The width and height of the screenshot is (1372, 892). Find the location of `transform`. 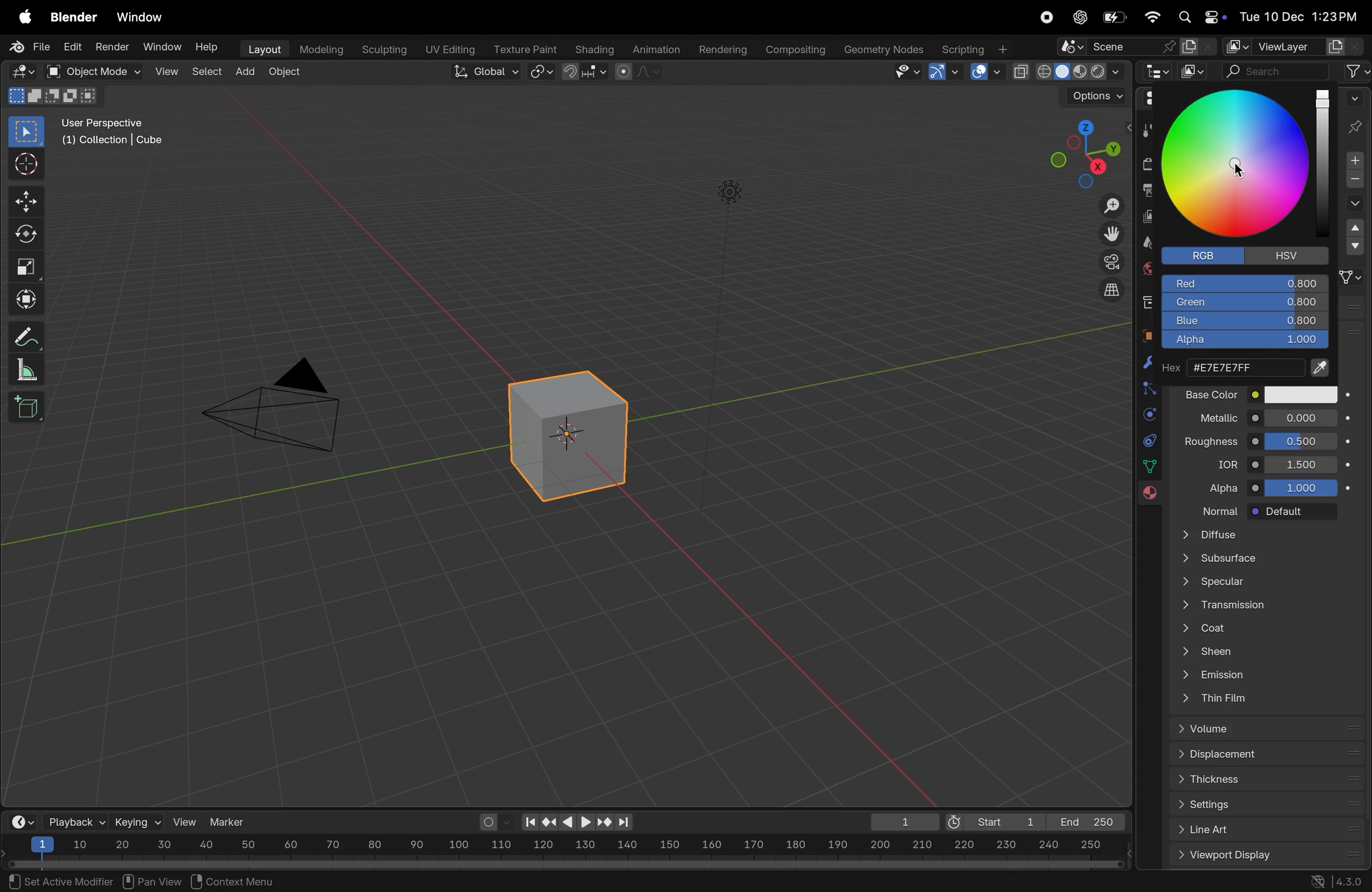

transform is located at coordinates (24, 297).